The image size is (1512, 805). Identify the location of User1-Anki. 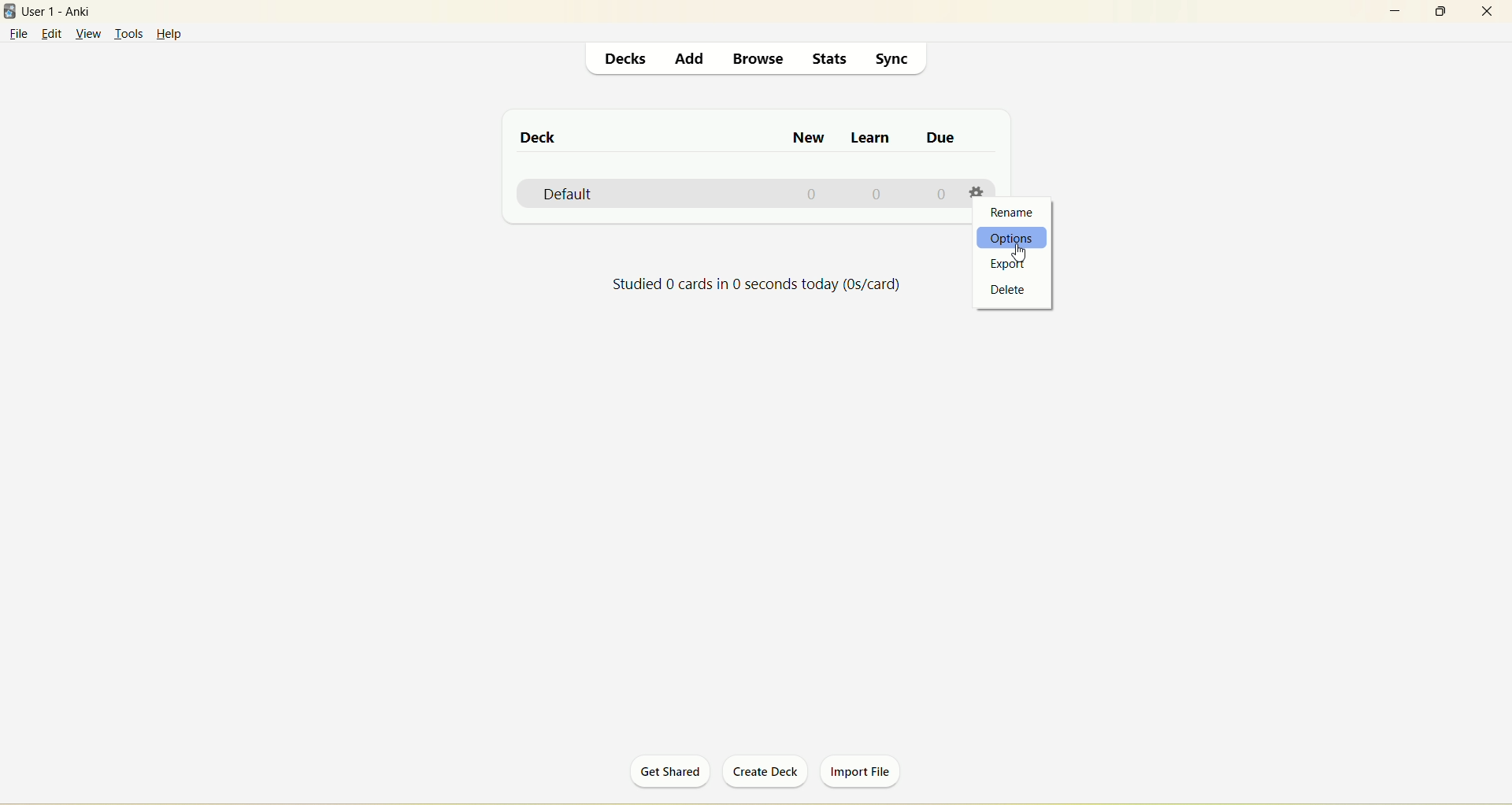
(68, 13).